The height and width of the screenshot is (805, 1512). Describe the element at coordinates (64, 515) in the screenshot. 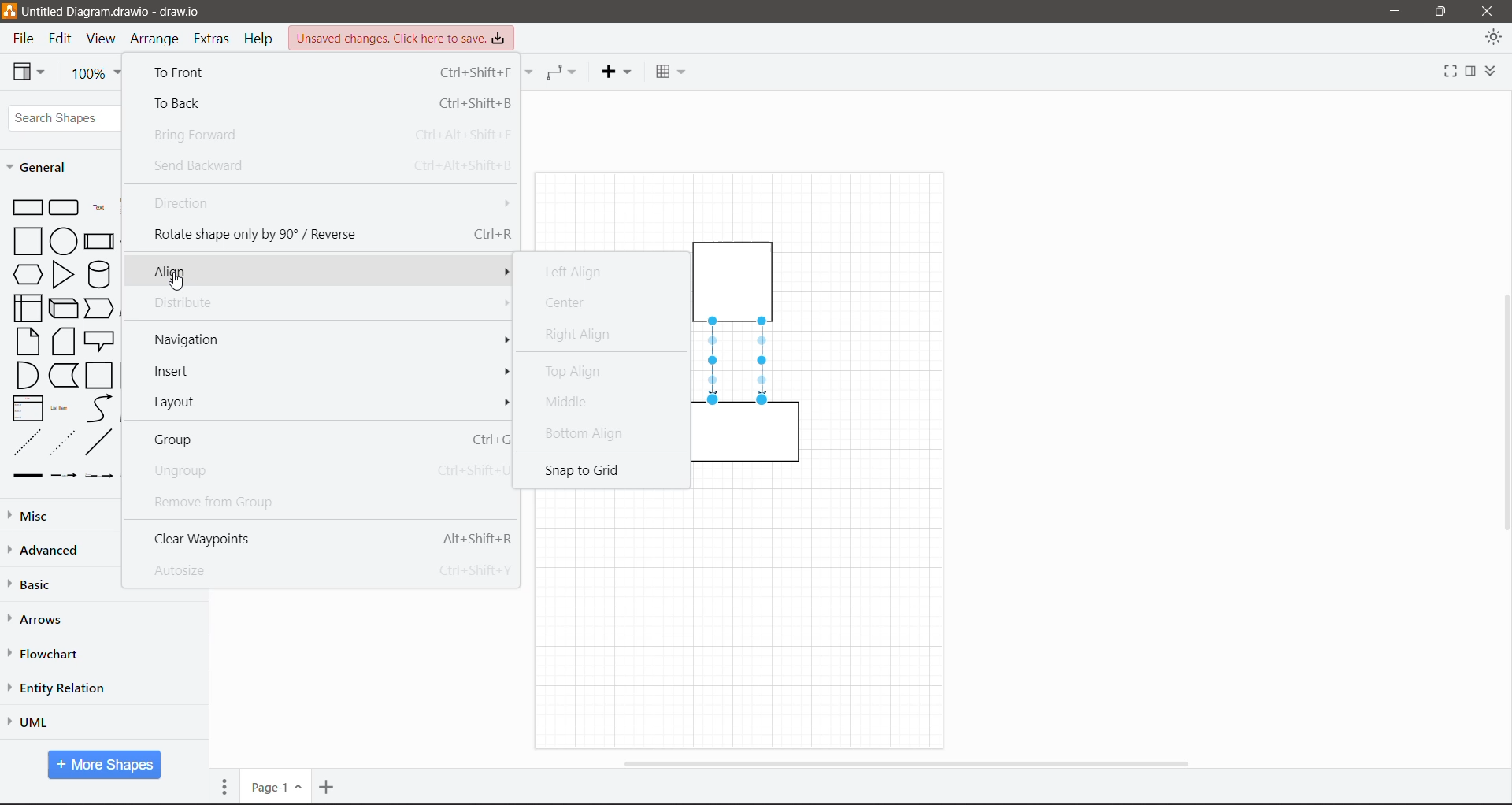

I see `Misc` at that location.